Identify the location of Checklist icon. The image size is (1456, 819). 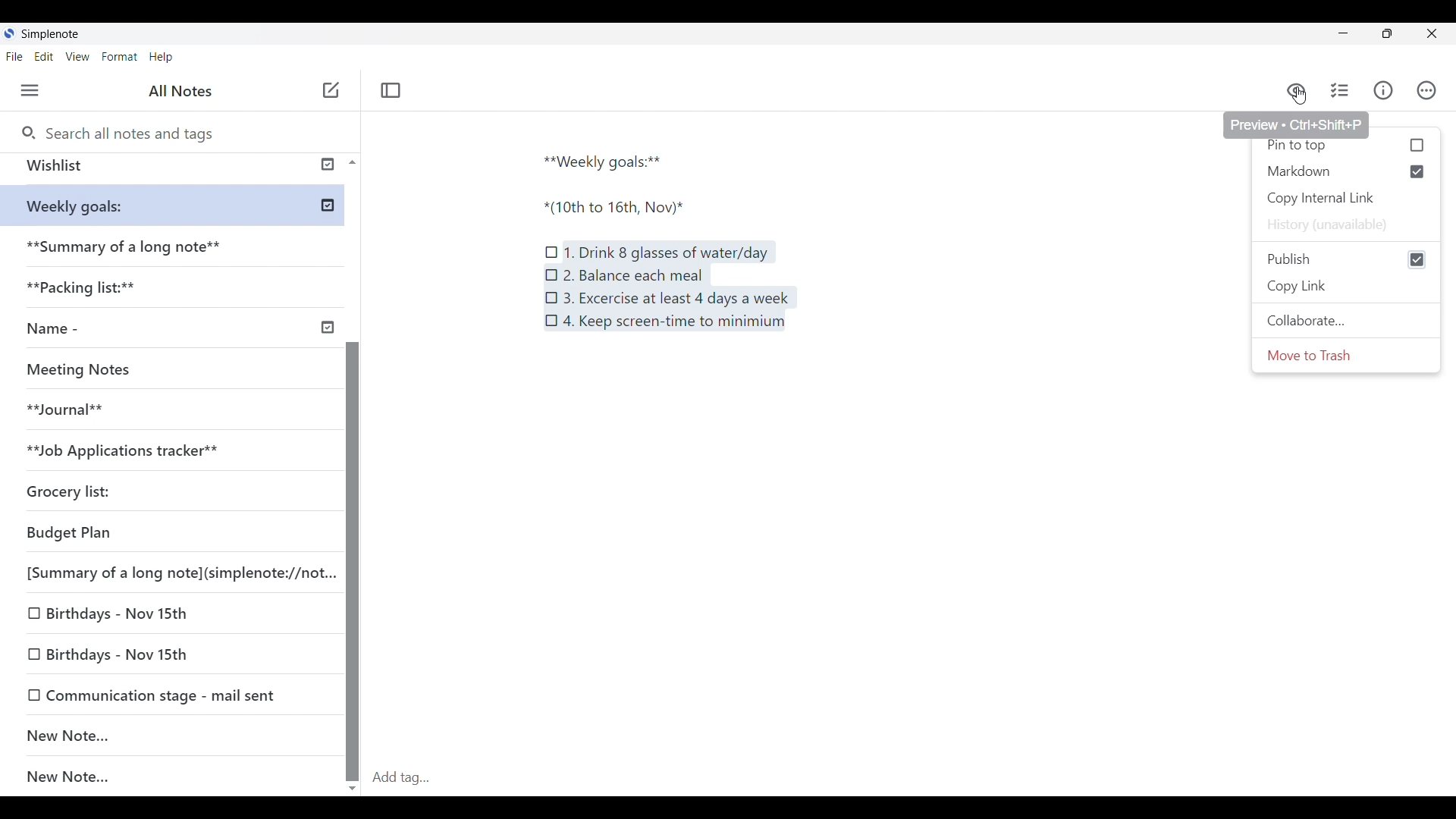
(552, 321).